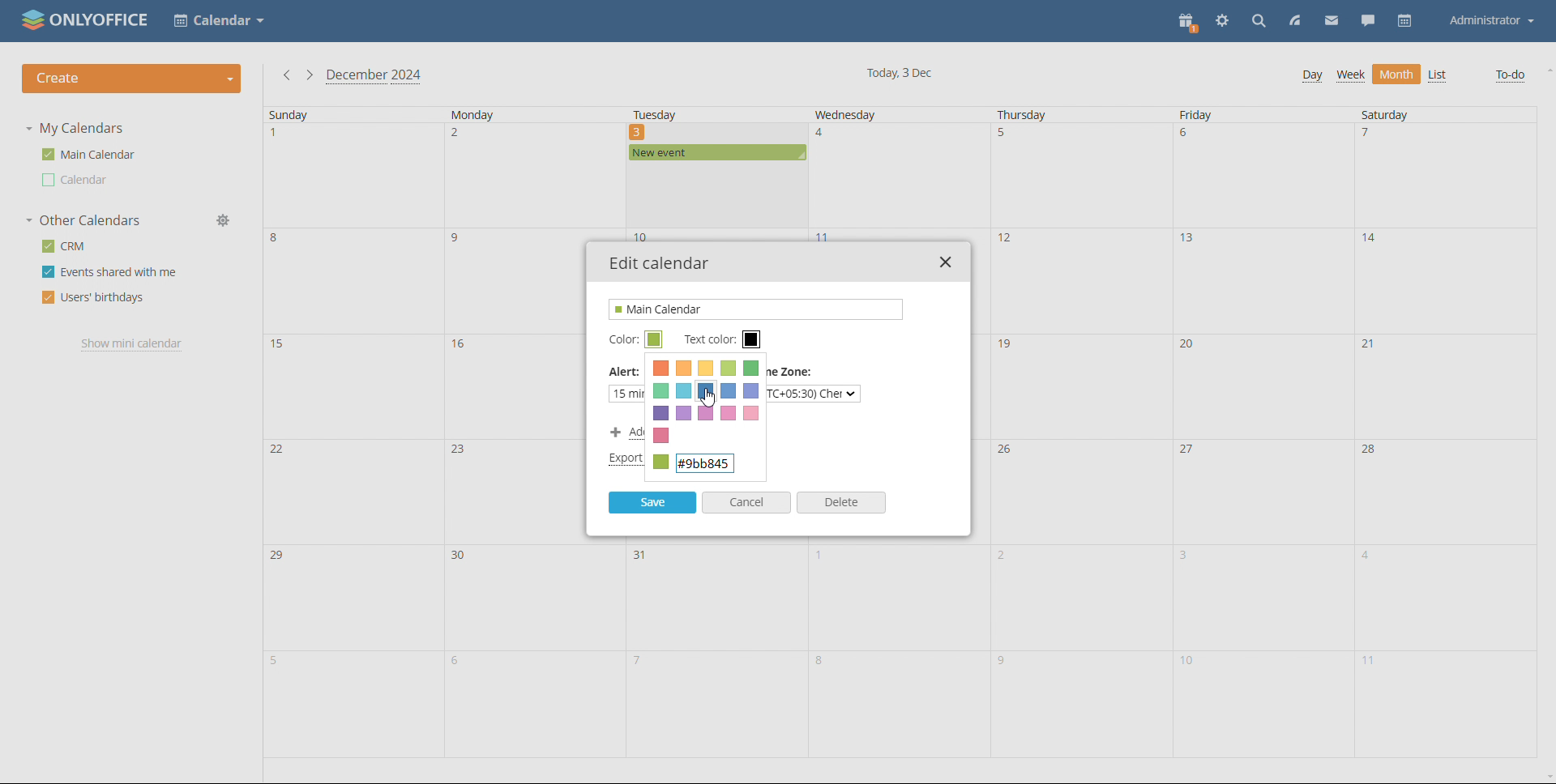 The height and width of the screenshot is (784, 1556). I want to click on date, so click(1445, 598).